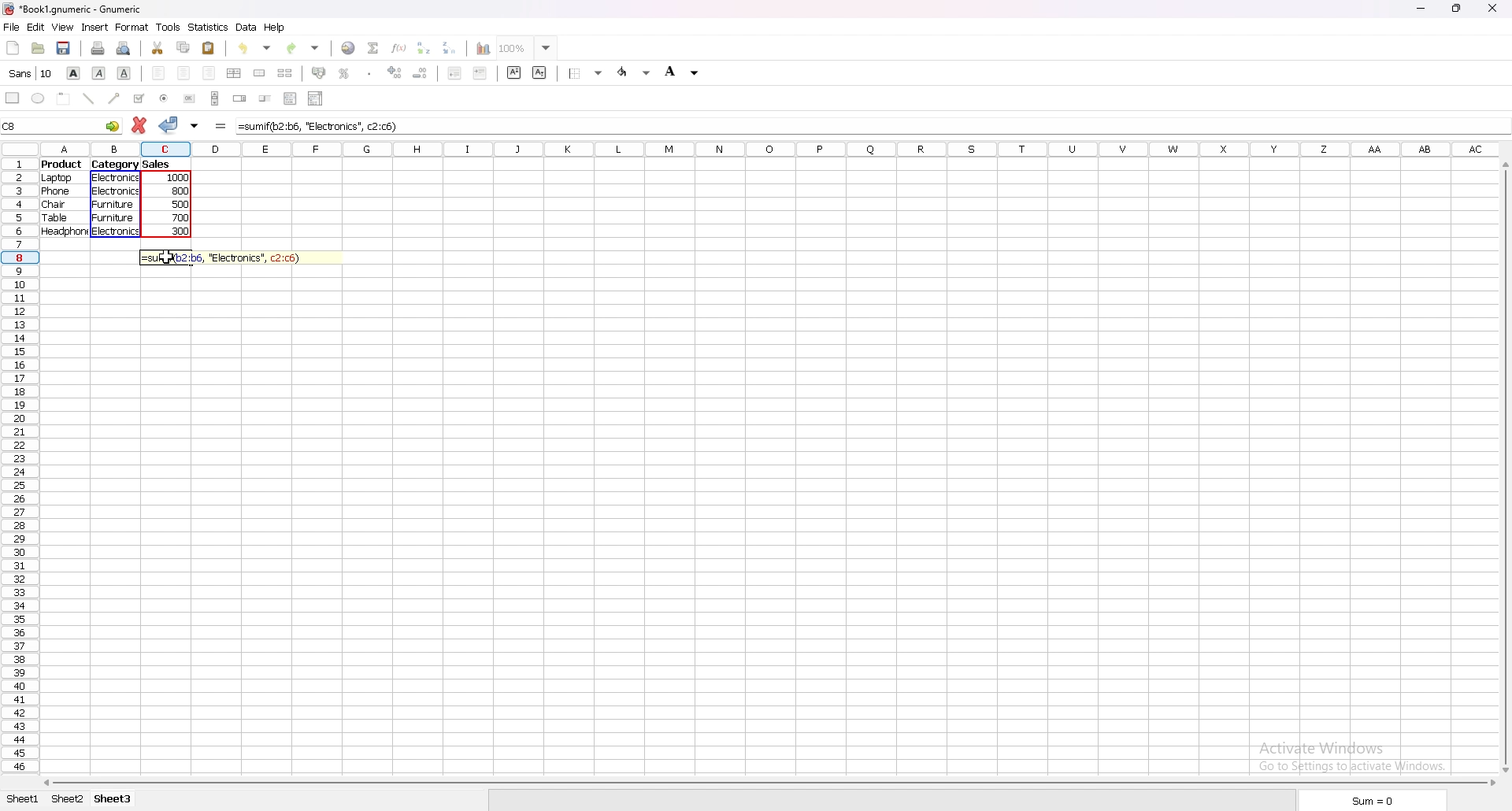 Image resolution: width=1512 pixels, height=811 pixels. I want to click on sales, so click(157, 164).